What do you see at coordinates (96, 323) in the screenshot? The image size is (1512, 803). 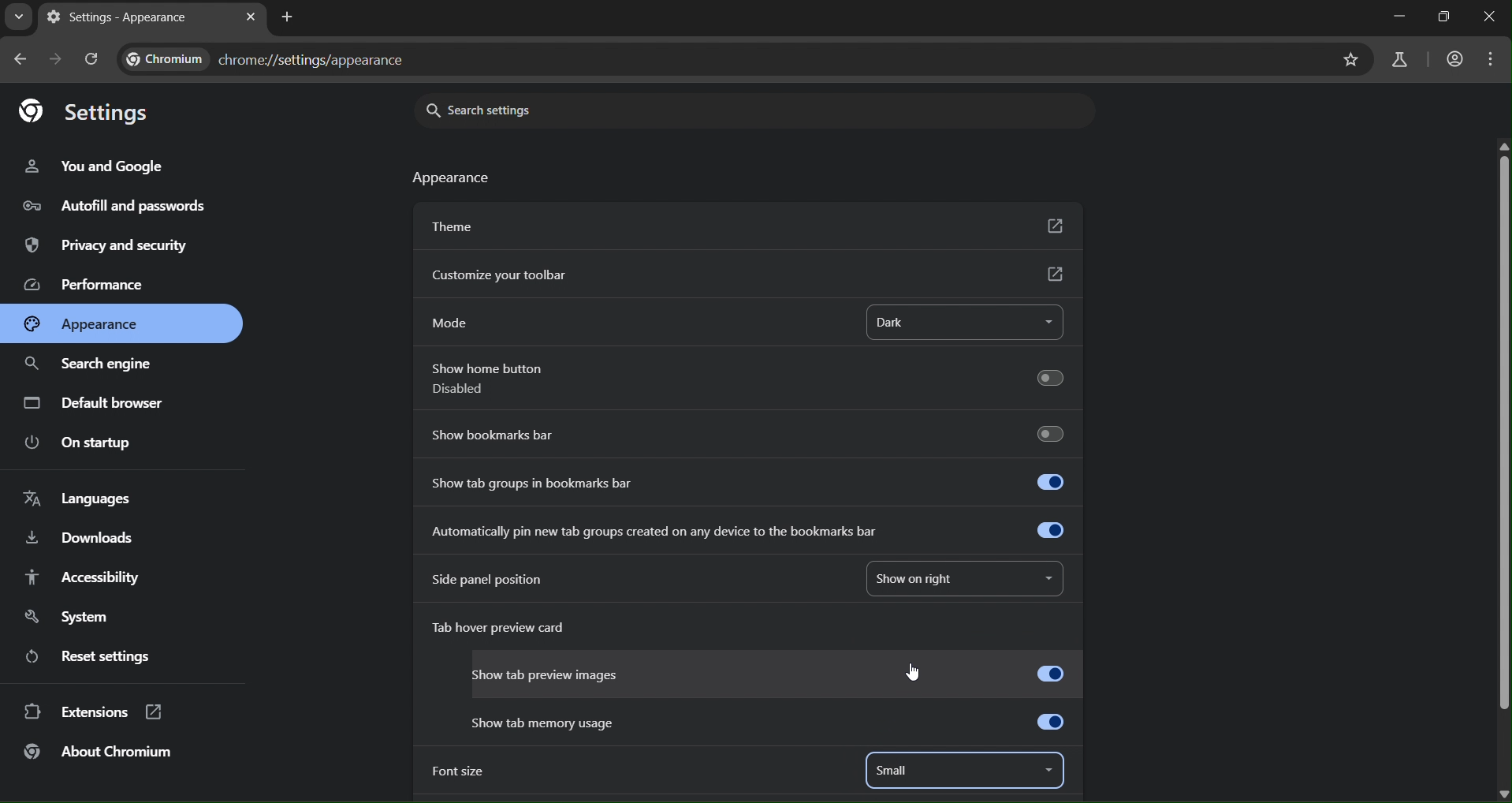 I see `appearance` at bounding box center [96, 323].